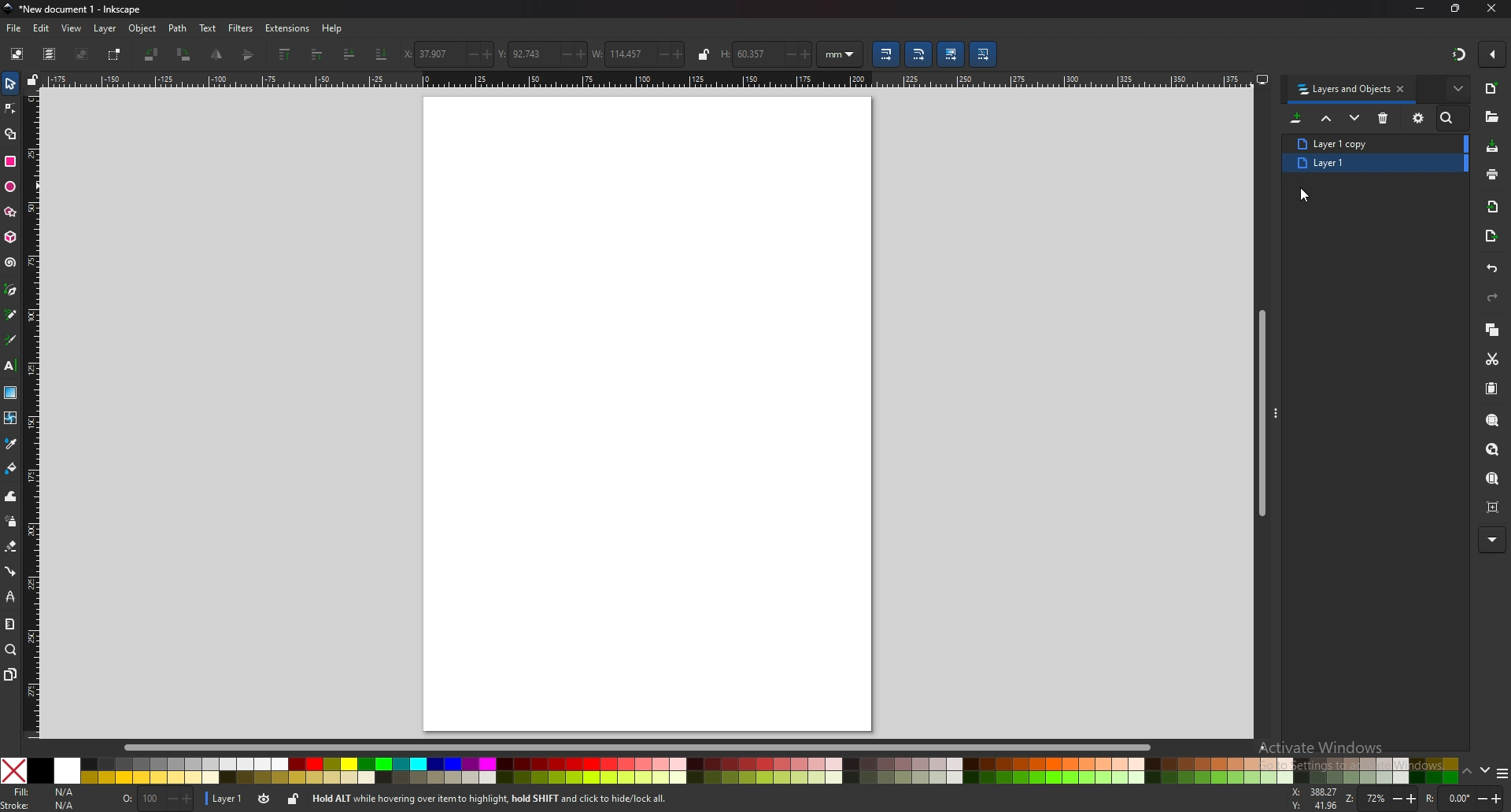 The width and height of the screenshot is (1511, 812). Describe the element at coordinates (224, 798) in the screenshot. I see `layer` at that location.